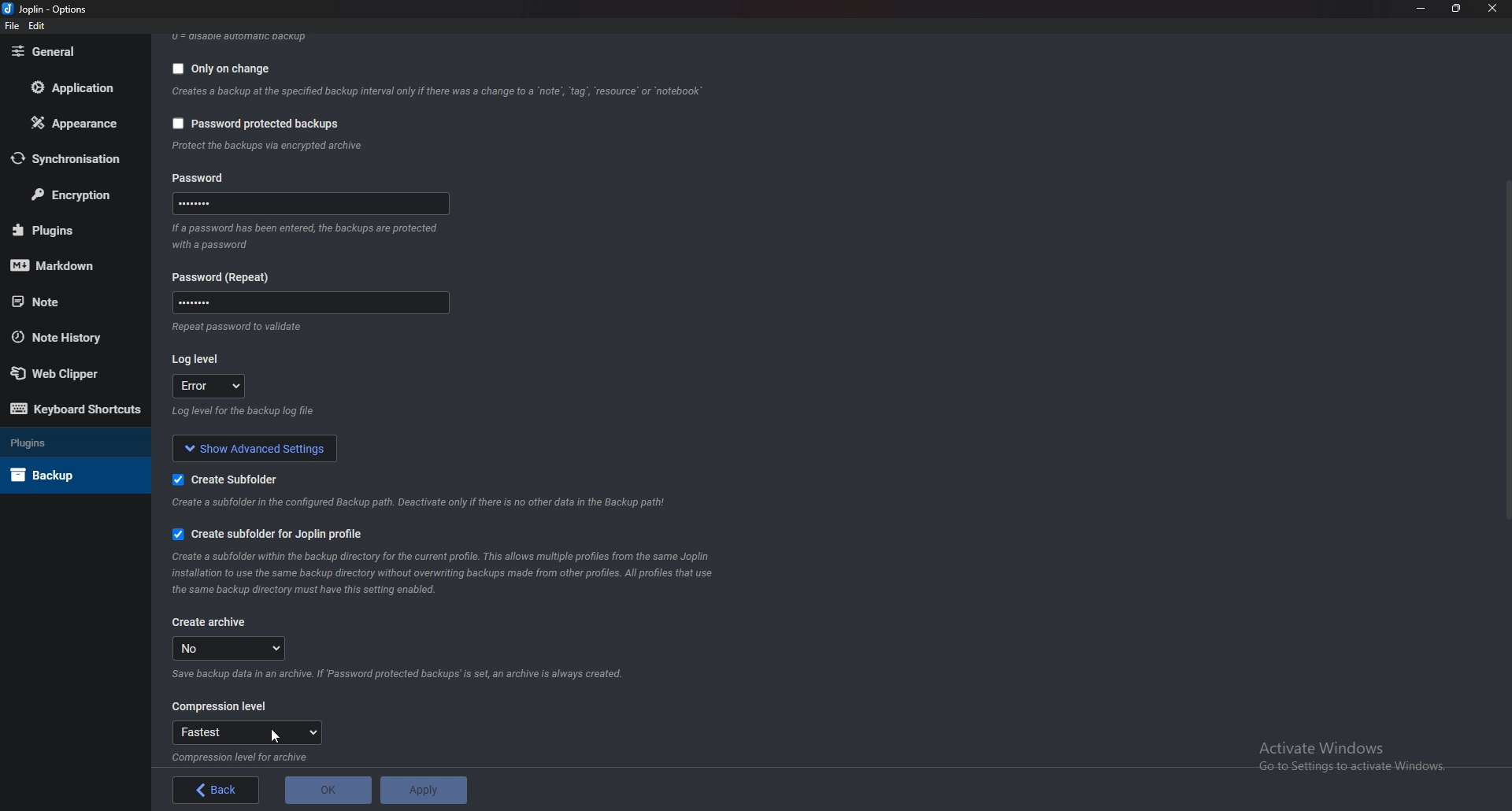 Image resolution: width=1512 pixels, height=811 pixels. I want to click on Create subfolder for Joplin profile, so click(269, 536).